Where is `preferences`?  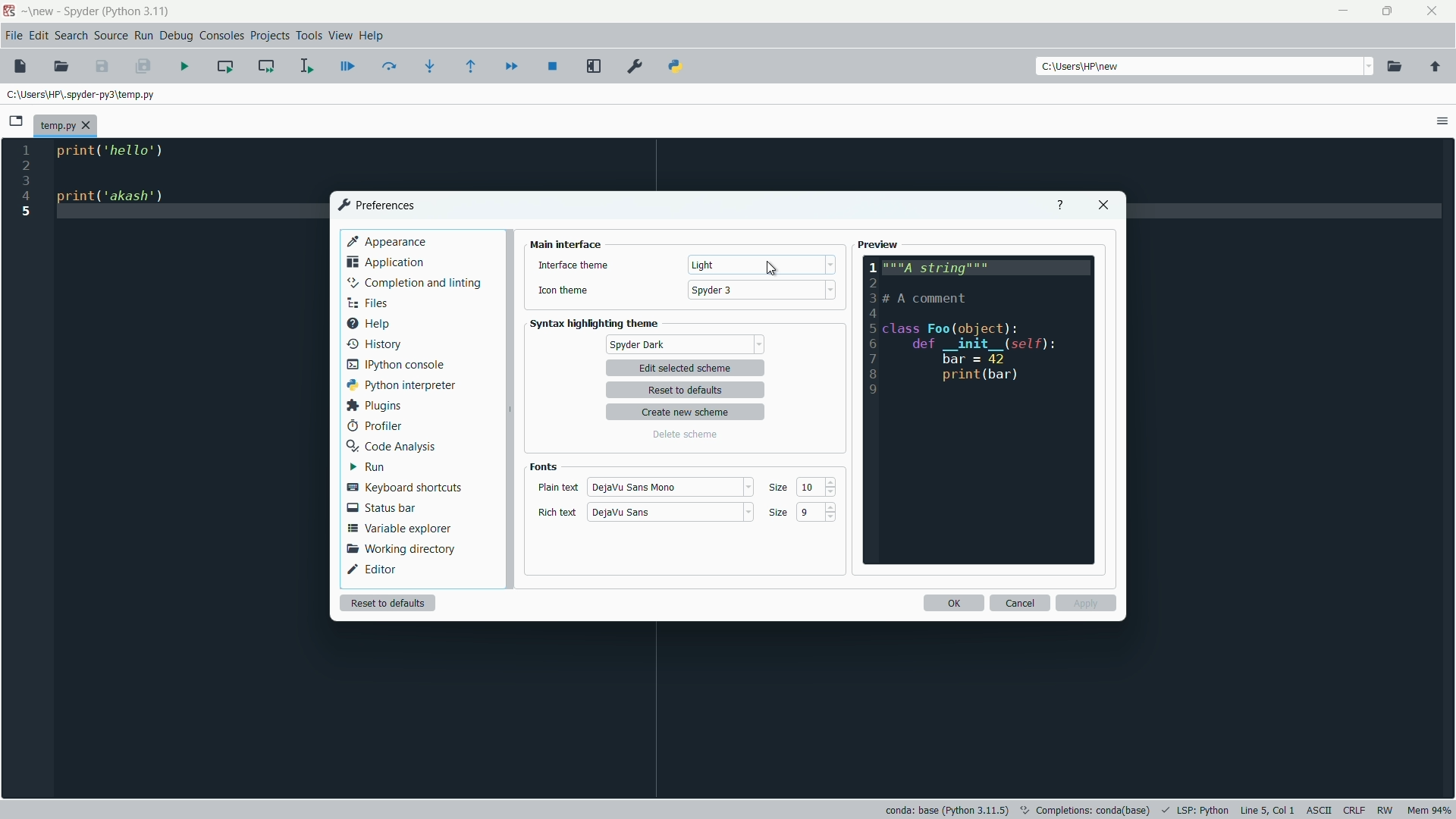 preferences is located at coordinates (375, 205).